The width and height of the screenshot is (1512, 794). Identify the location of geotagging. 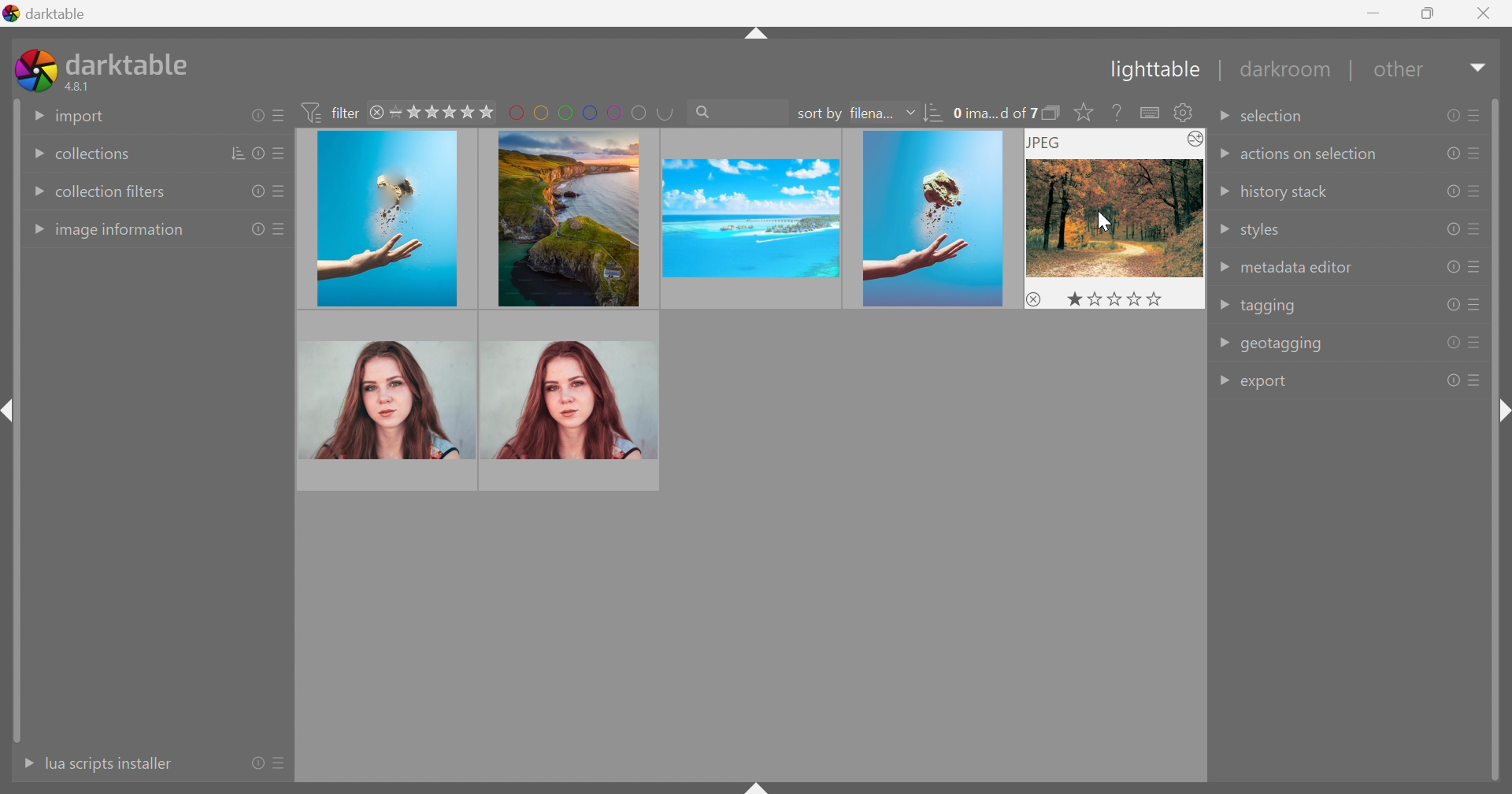
(1281, 347).